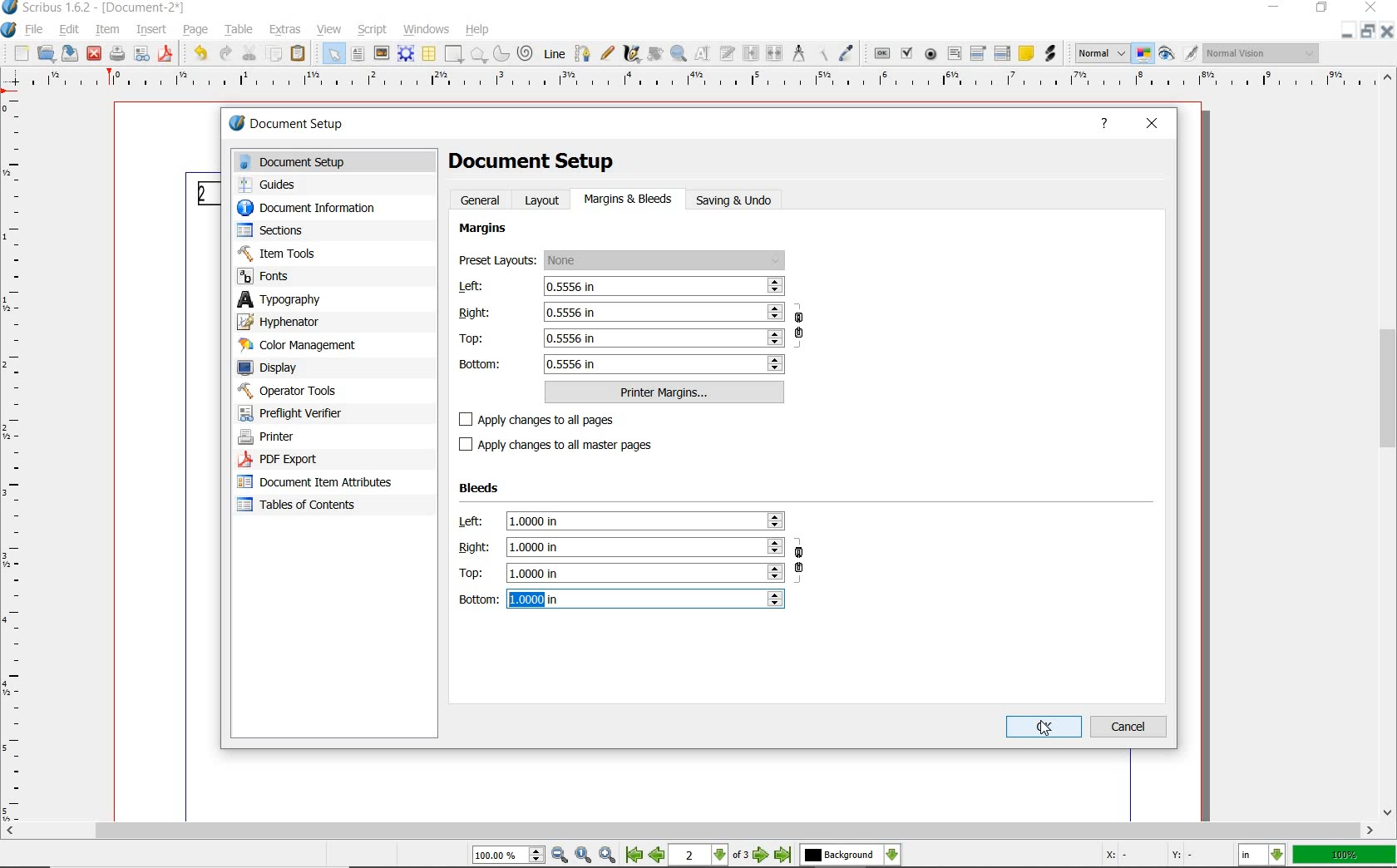 The height and width of the screenshot is (868, 1397). Describe the element at coordinates (478, 31) in the screenshot. I see `help` at that location.